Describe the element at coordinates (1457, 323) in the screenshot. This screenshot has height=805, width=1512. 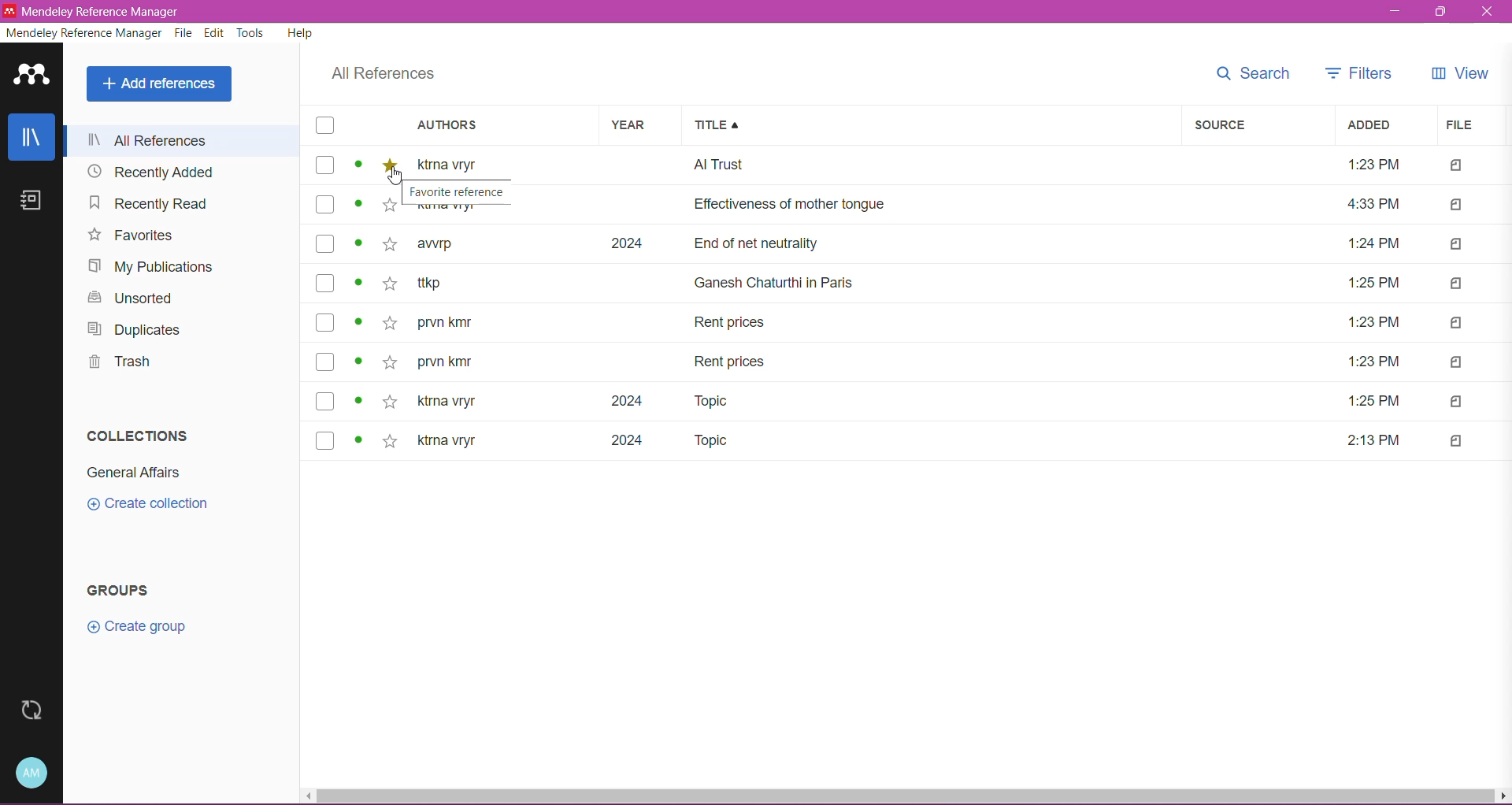
I see `Indicates file type` at that location.